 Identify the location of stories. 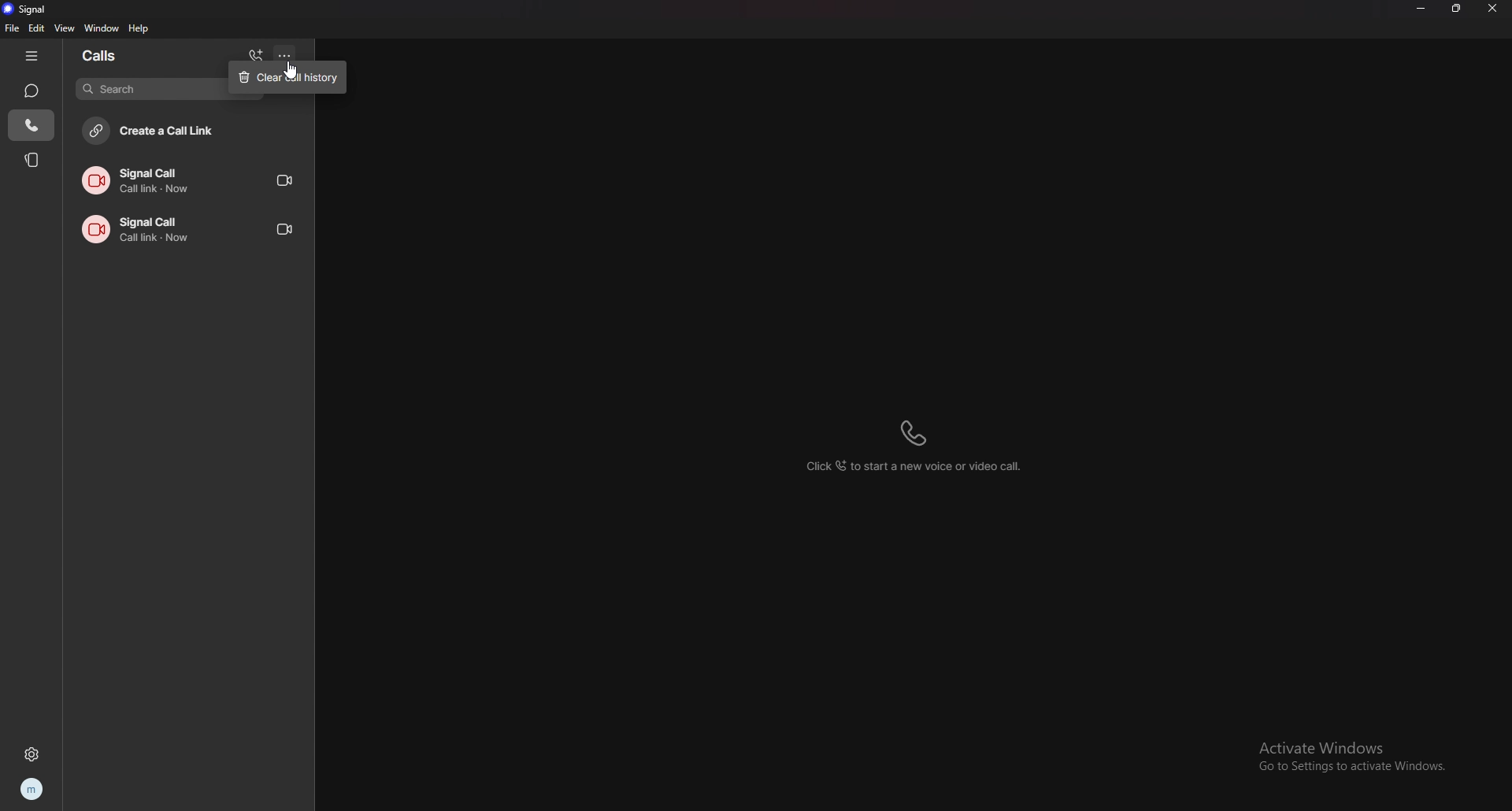
(34, 160).